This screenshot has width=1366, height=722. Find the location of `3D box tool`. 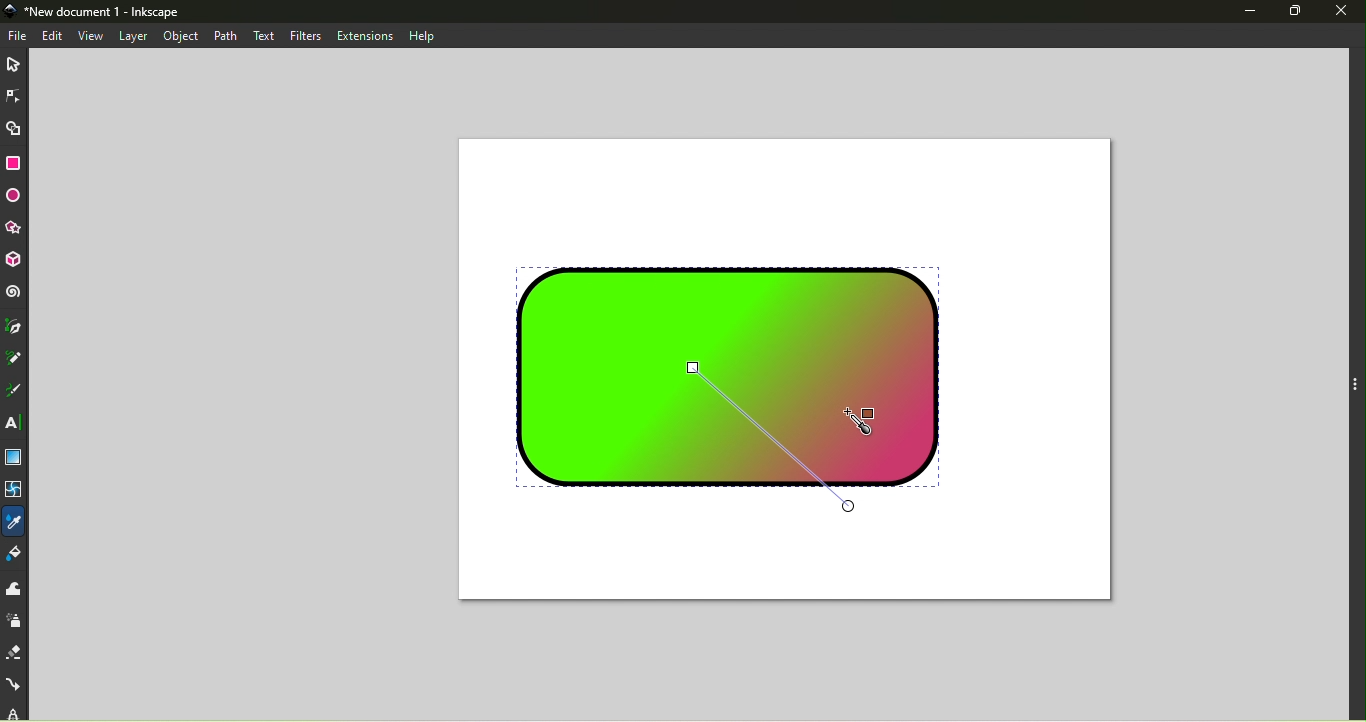

3D box tool is located at coordinates (17, 261).